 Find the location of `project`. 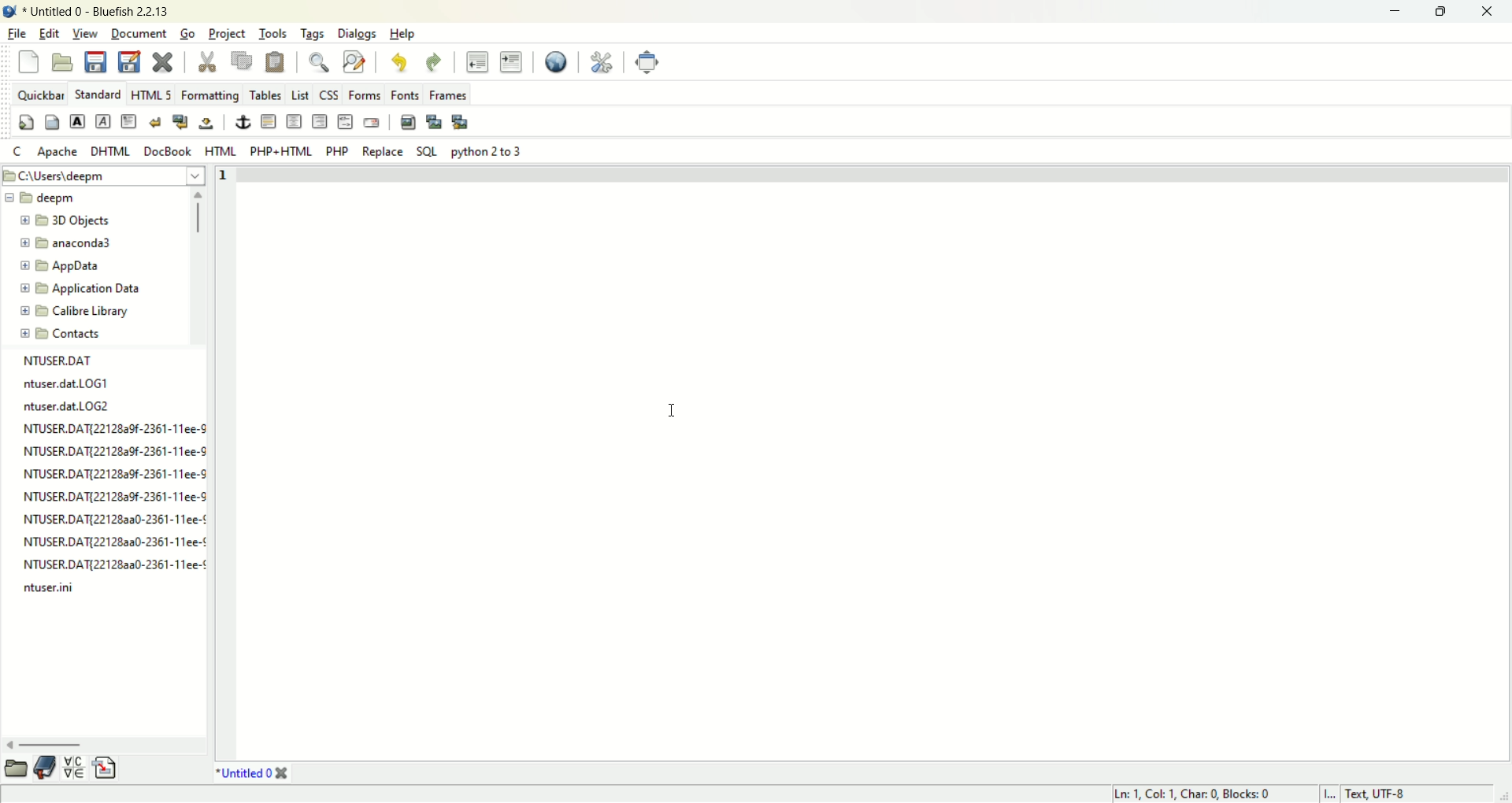

project is located at coordinates (224, 35).